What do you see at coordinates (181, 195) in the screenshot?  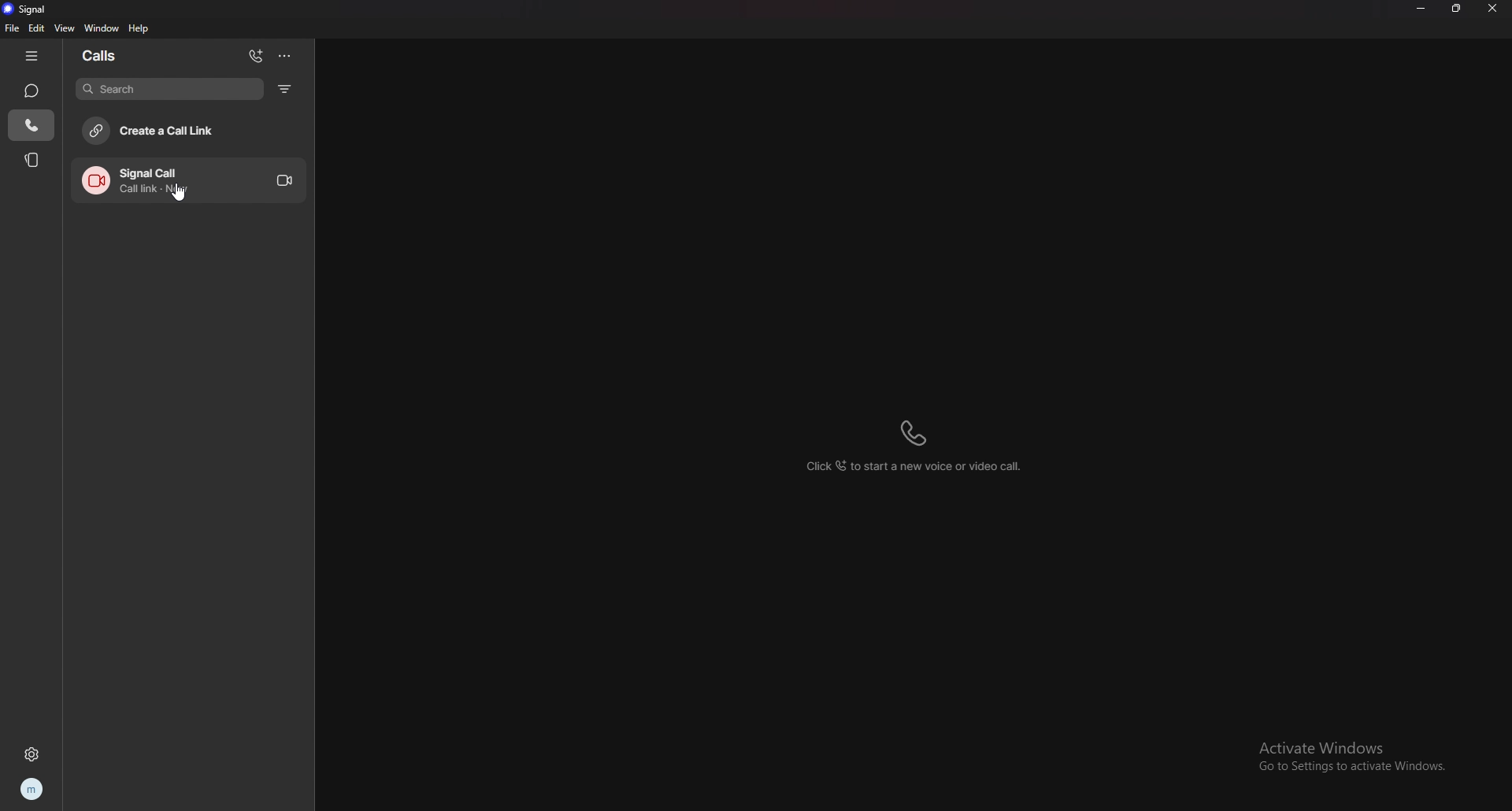 I see `cursor` at bounding box center [181, 195].